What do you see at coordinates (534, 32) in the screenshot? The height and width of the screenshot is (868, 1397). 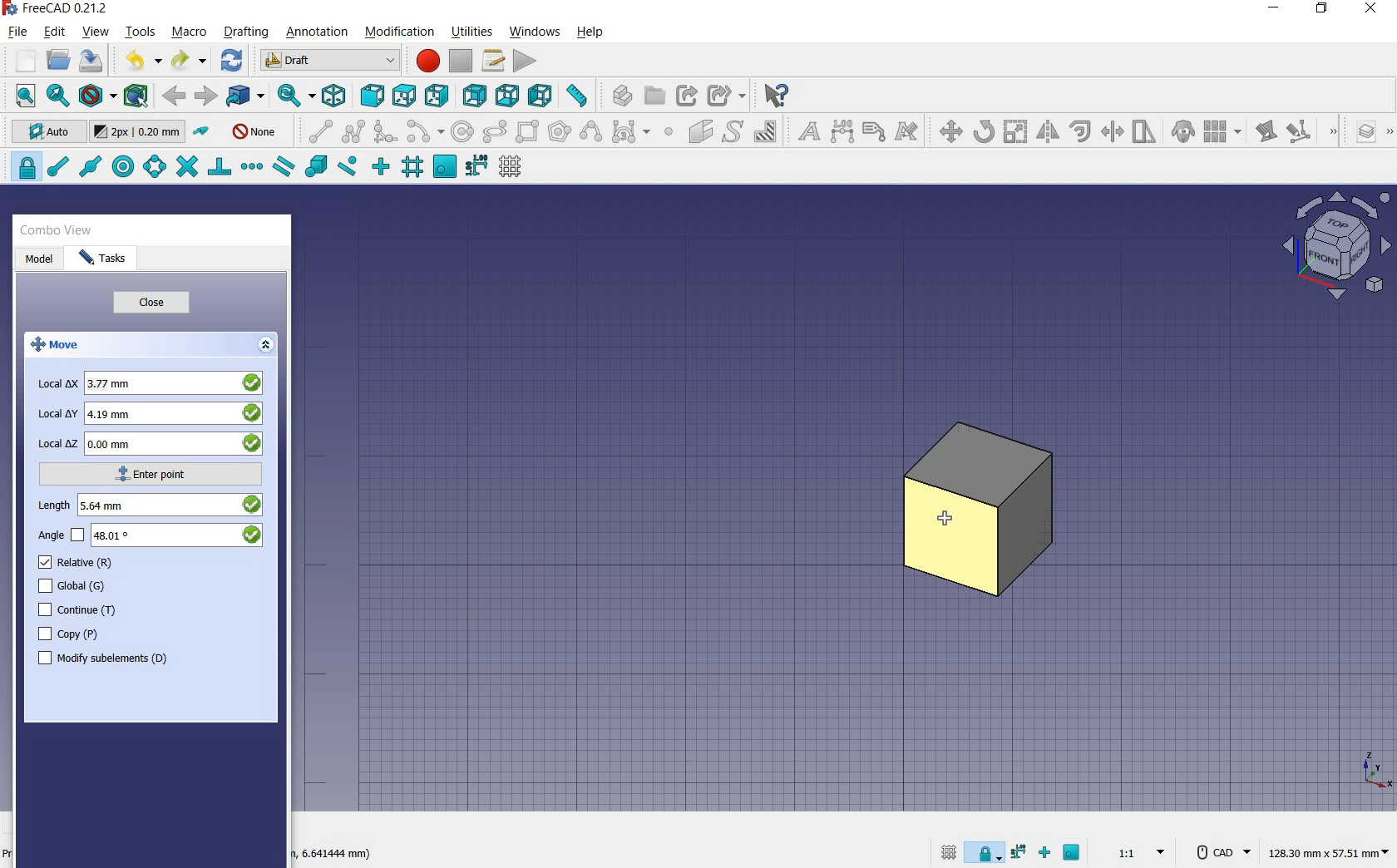 I see `windows` at bounding box center [534, 32].